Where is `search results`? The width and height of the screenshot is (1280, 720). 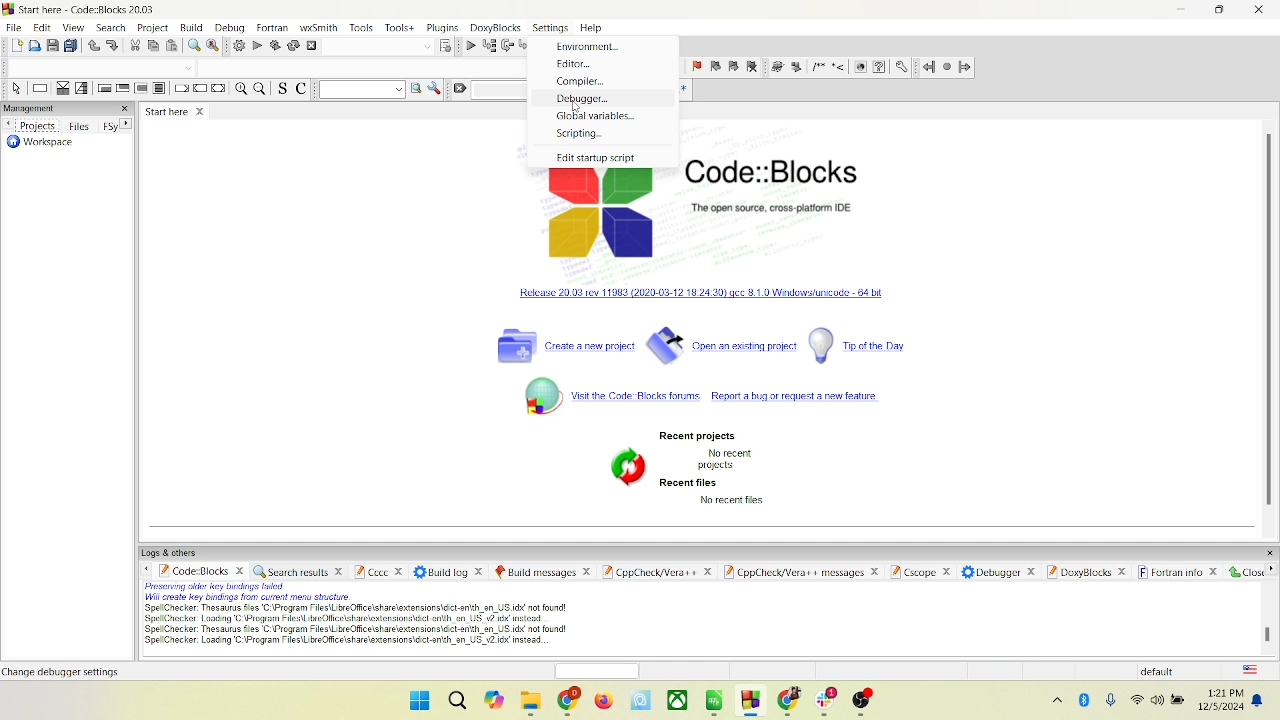 search results is located at coordinates (300, 572).